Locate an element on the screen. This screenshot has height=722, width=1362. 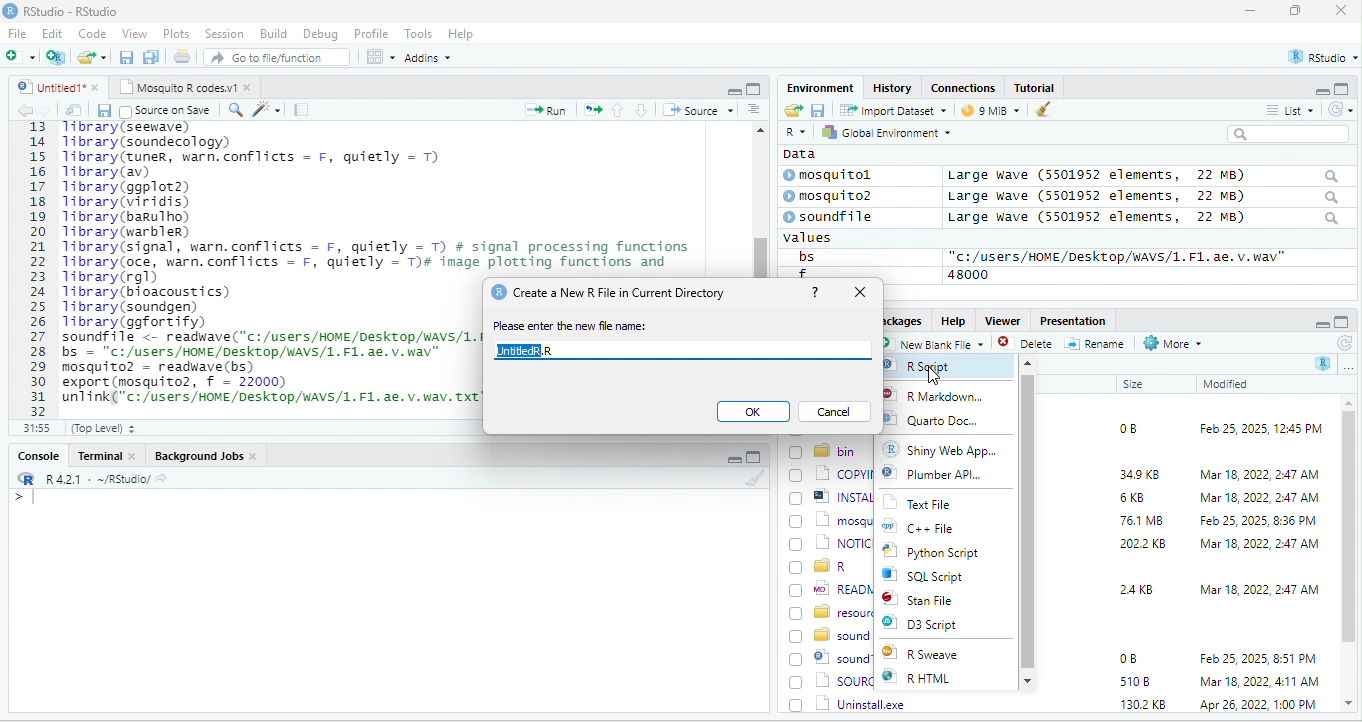
rstudio is located at coordinates (1319, 58).